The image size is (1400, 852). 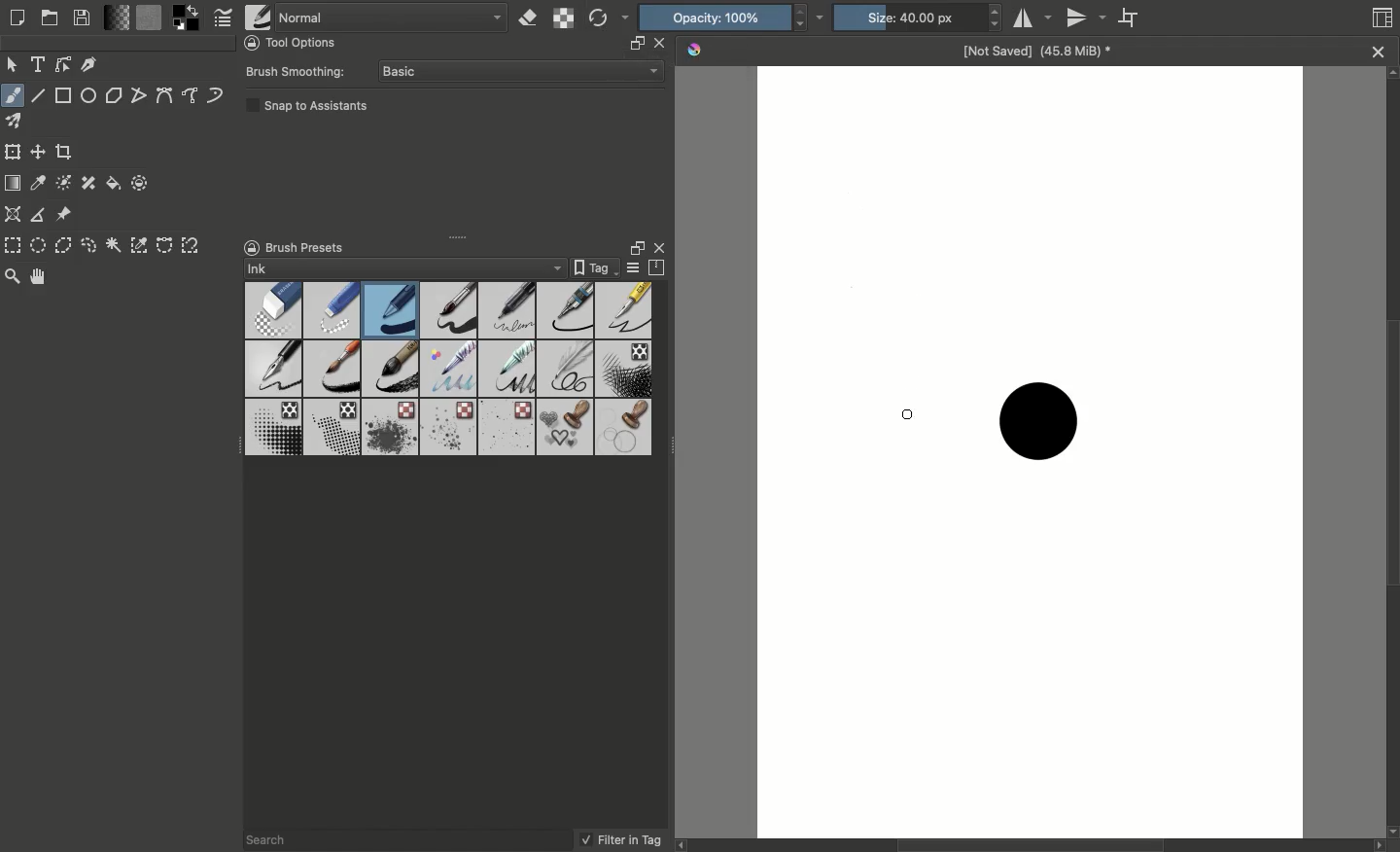 What do you see at coordinates (38, 245) in the screenshot?
I see `Elliptical selection tool` at bounding box center [38, 245].